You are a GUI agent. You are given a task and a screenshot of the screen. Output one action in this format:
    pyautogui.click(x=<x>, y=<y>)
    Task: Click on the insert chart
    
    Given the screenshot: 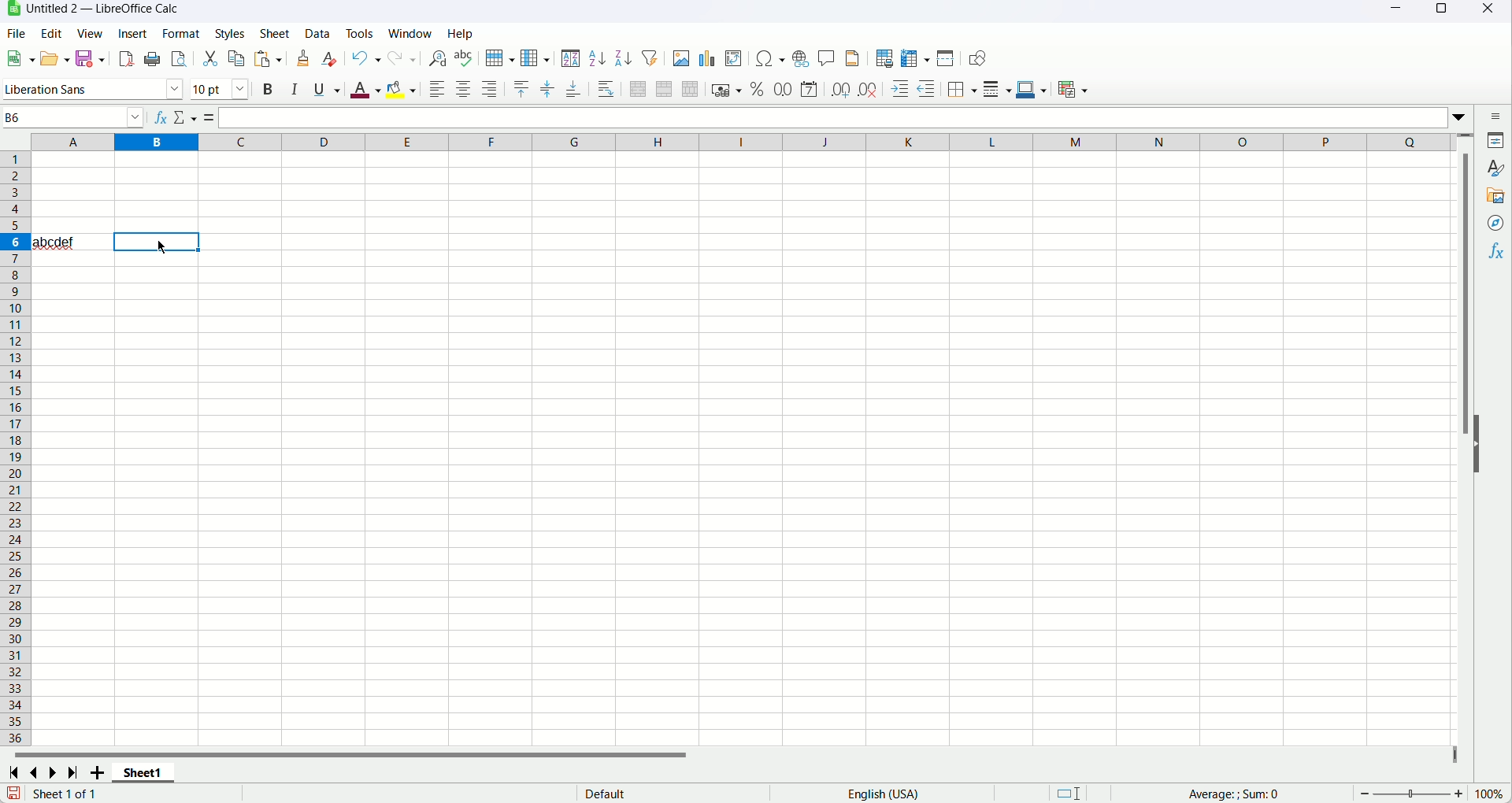 What is the action you would take?
    pyautogui.click(x=706, y=59)
    